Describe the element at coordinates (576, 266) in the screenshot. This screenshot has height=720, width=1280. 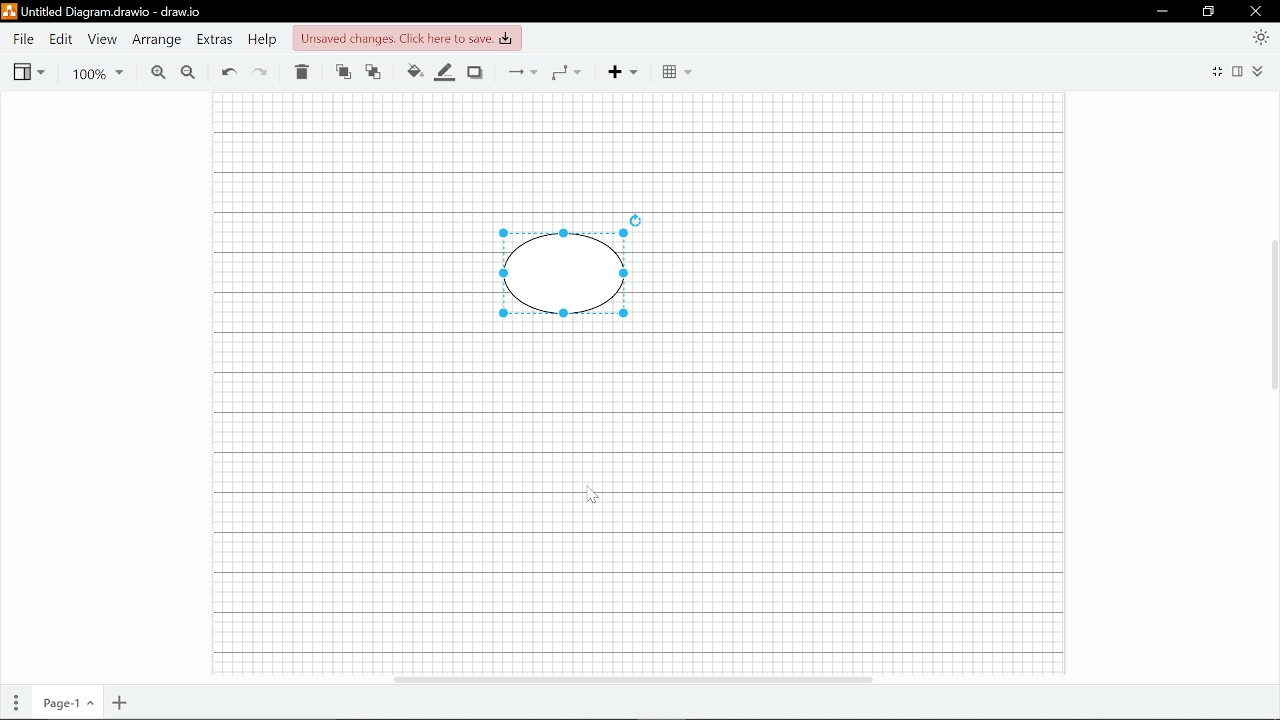
I see `Diagram in the canvas` at that location.